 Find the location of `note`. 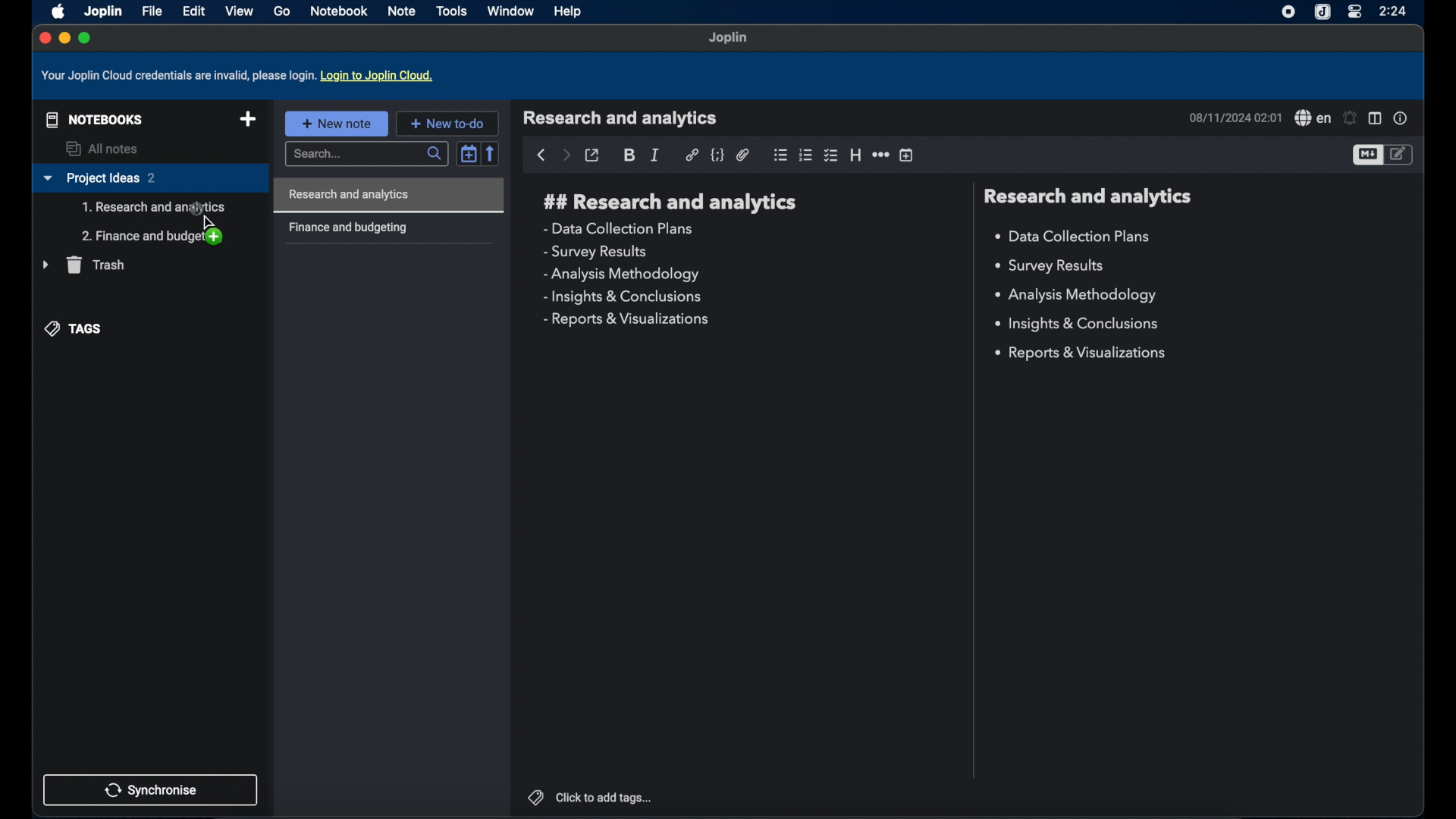

note is located at coordinates (403, 11).